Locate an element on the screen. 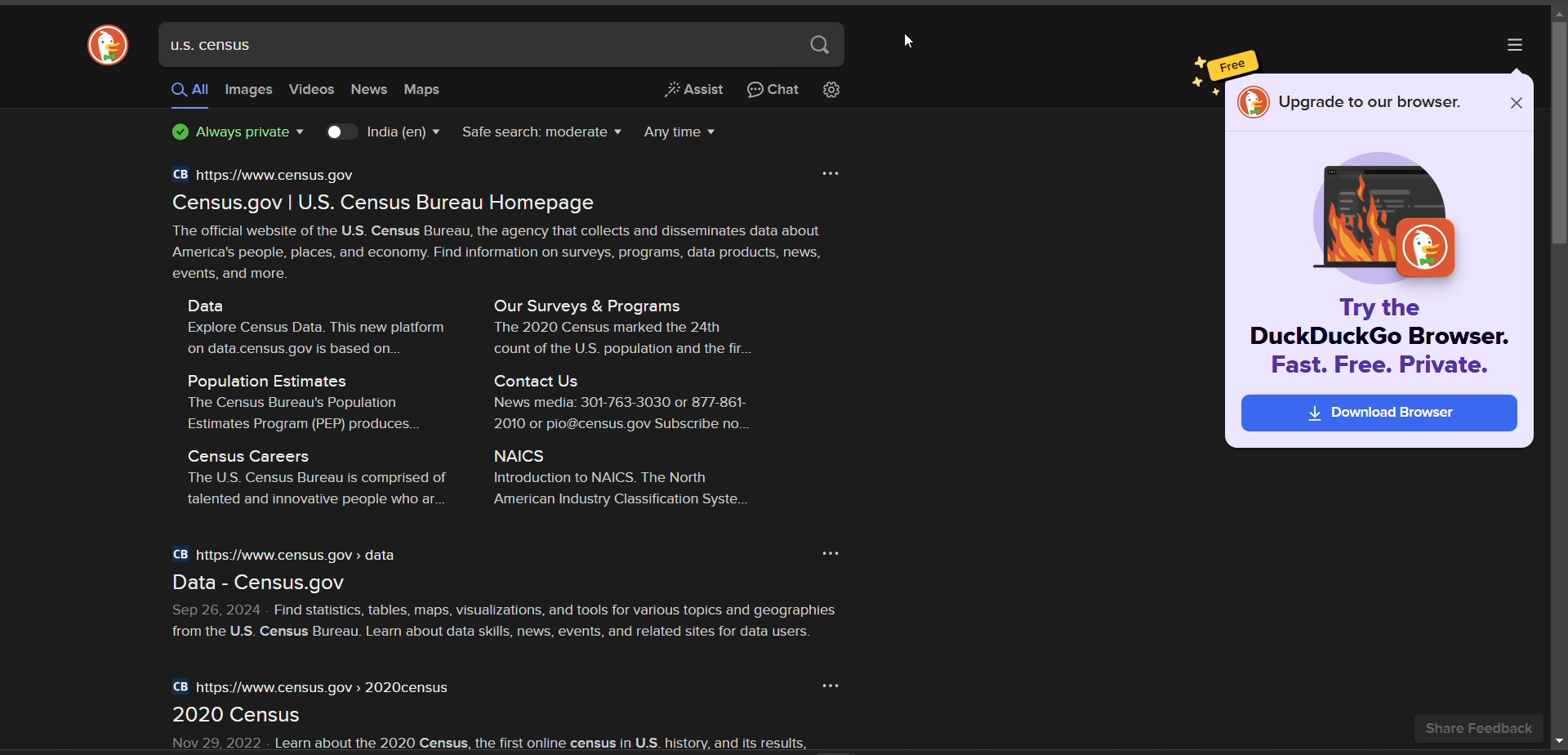 The width and height of the screenshot is (1568, 755). close is located at coordinates (1517, 103).